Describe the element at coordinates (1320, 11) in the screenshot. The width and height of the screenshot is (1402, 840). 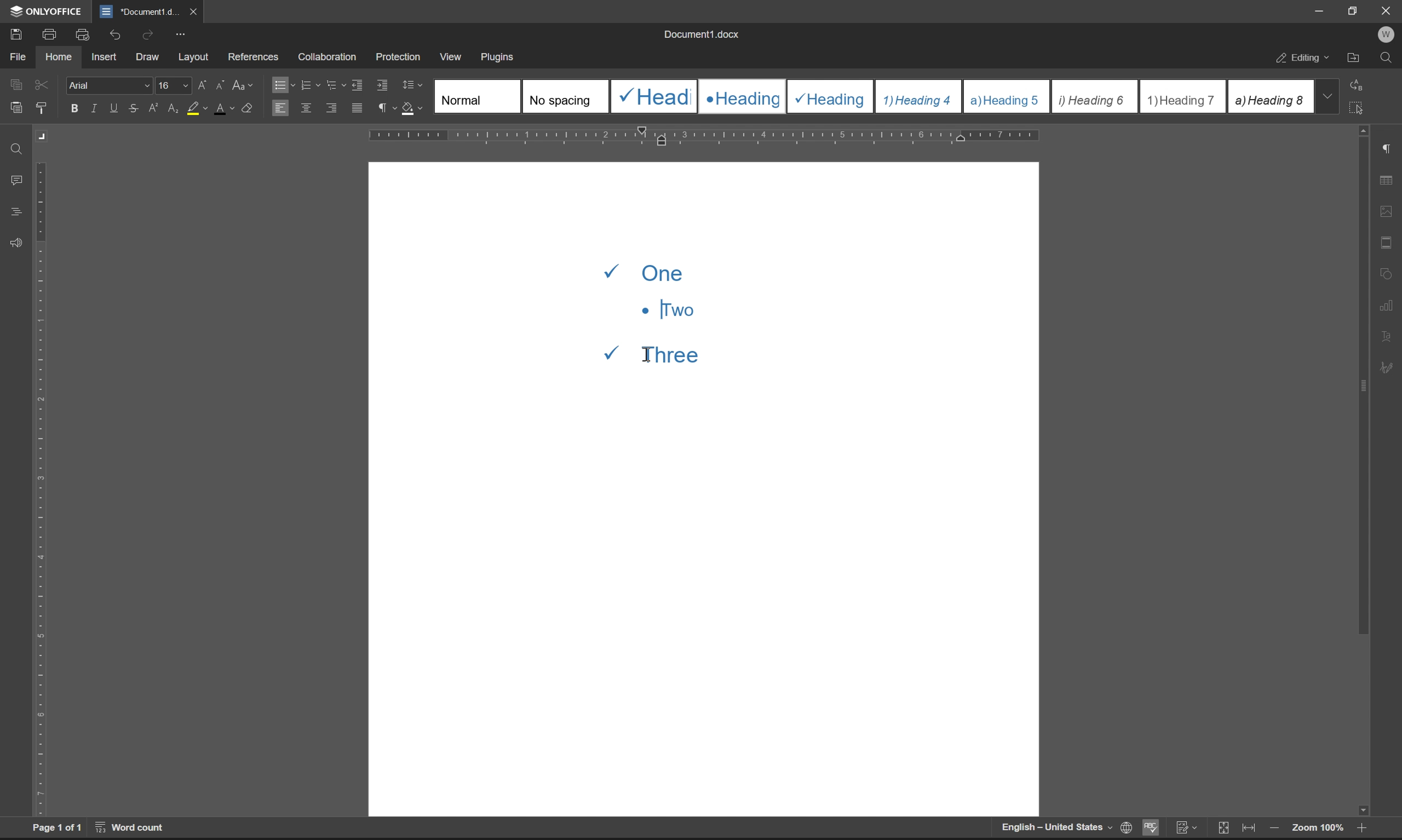
I see `minimize` at that location.